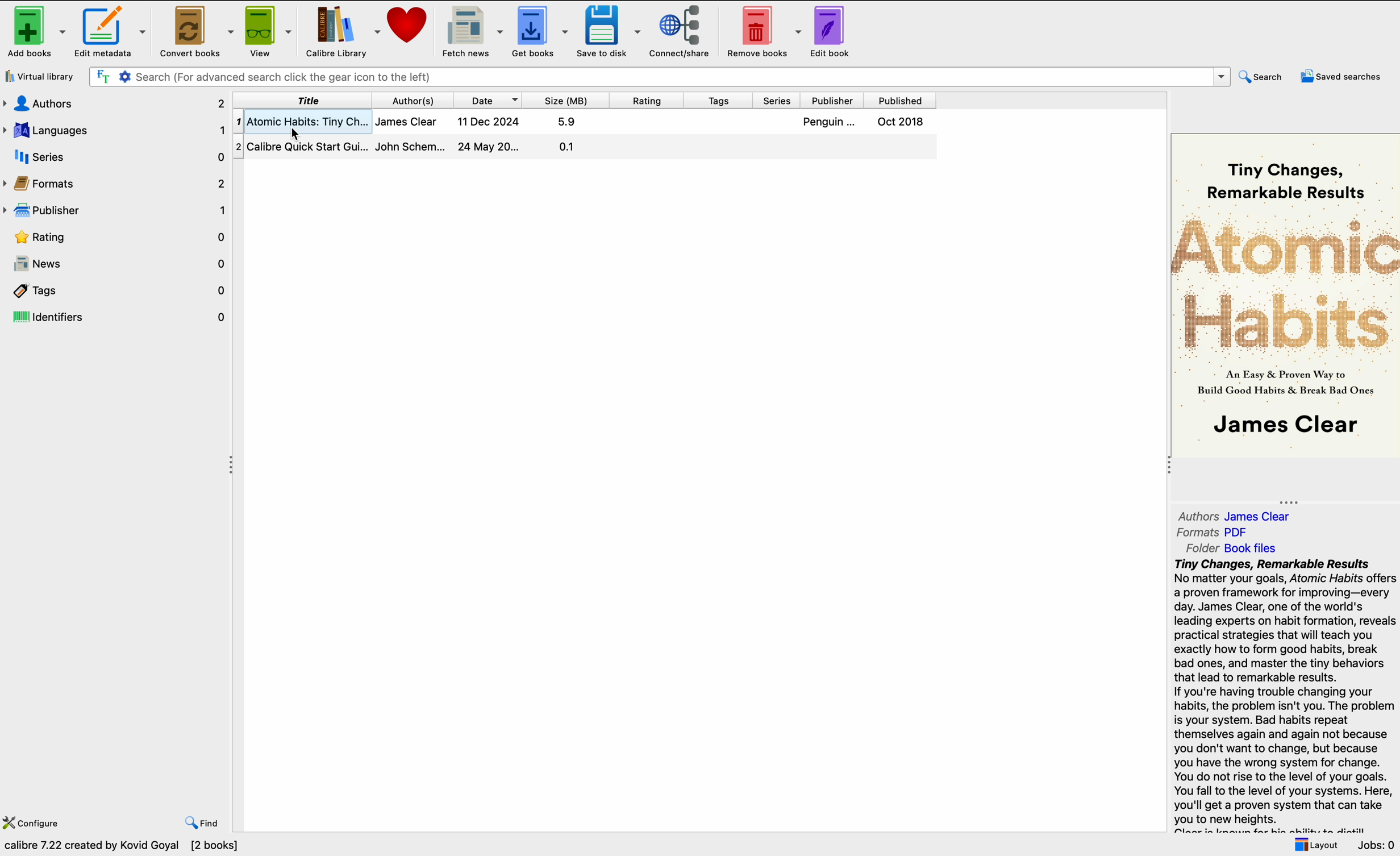  Describe the element at coordinates (1377, 845) in the screenshot. I see `jobs: 0` at that location.